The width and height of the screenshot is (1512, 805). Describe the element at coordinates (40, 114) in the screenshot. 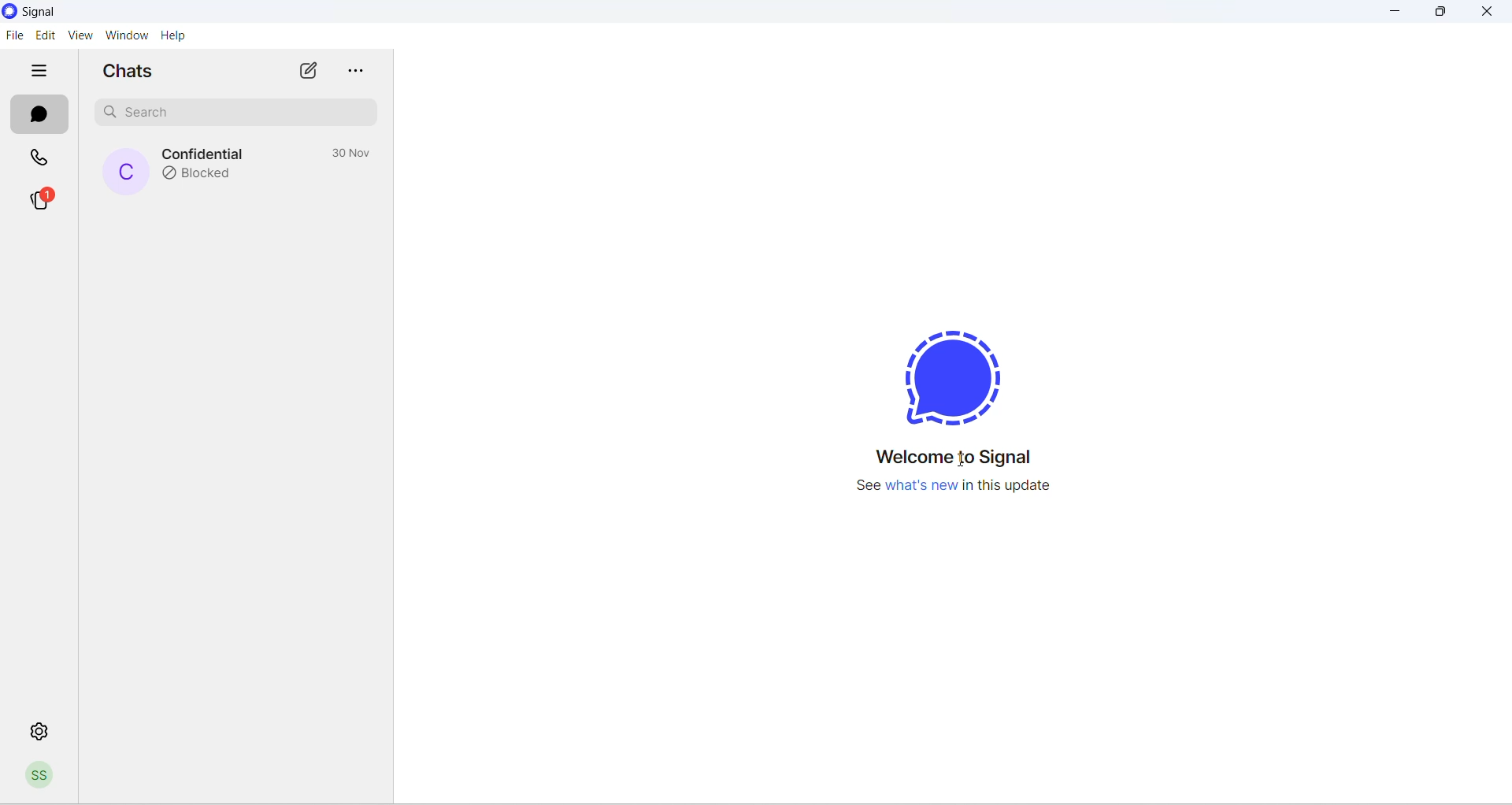

I see `chats` at that location.